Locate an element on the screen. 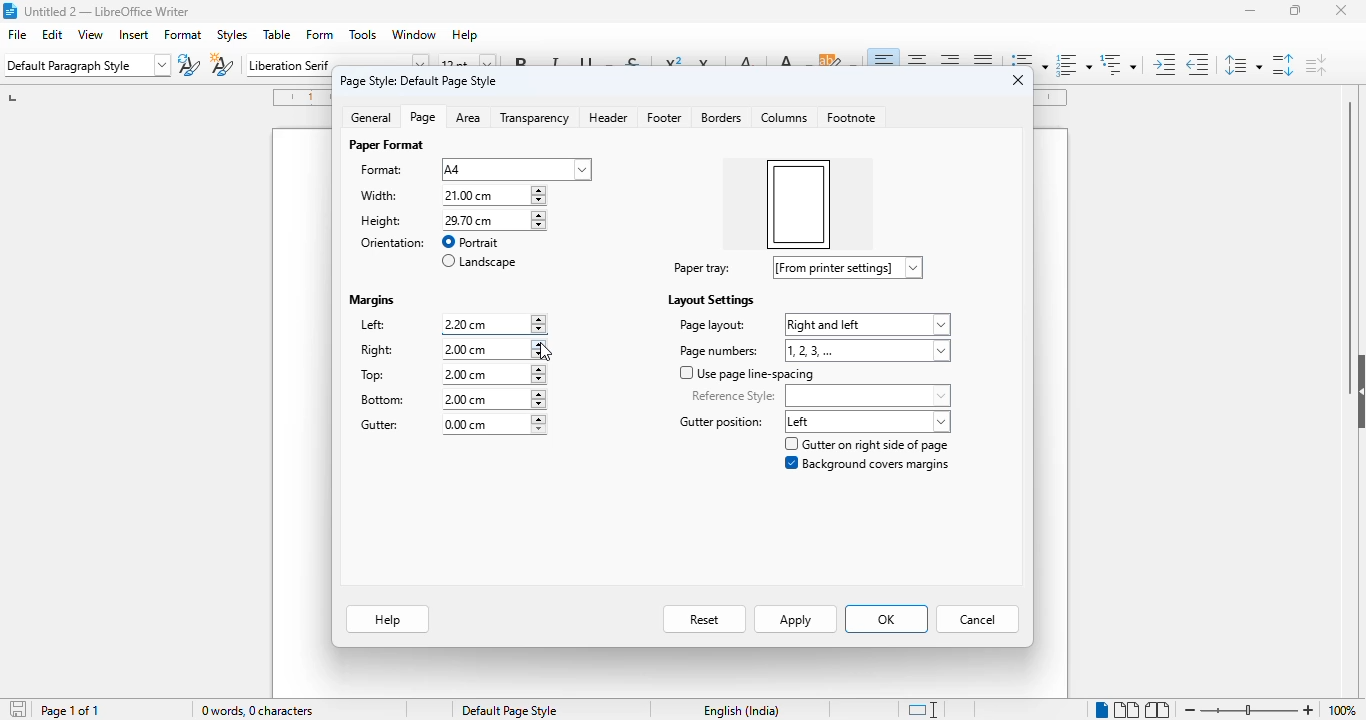 This screenshot has width=1366, height=720. click to save document is located at coordinates (17, 709).